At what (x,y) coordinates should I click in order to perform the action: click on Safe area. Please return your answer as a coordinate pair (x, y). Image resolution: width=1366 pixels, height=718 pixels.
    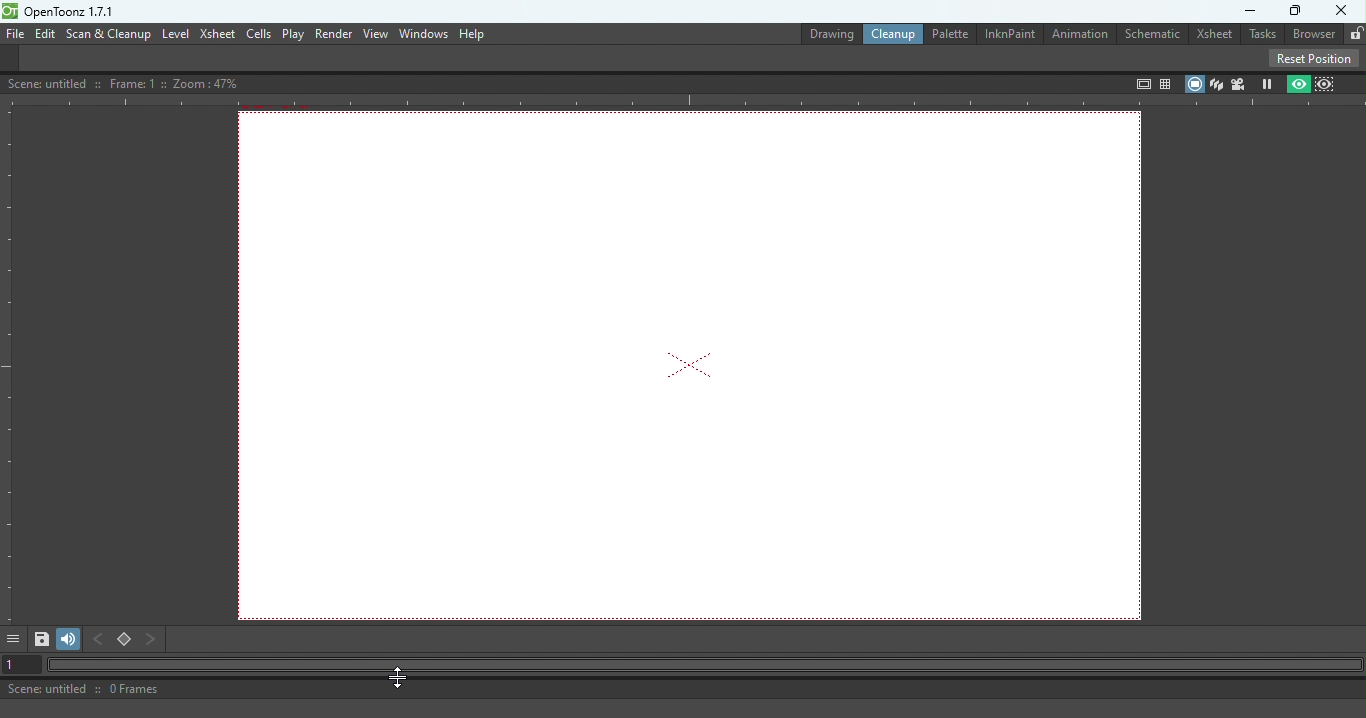
    Looking at the image, I should click on (1141, 84).